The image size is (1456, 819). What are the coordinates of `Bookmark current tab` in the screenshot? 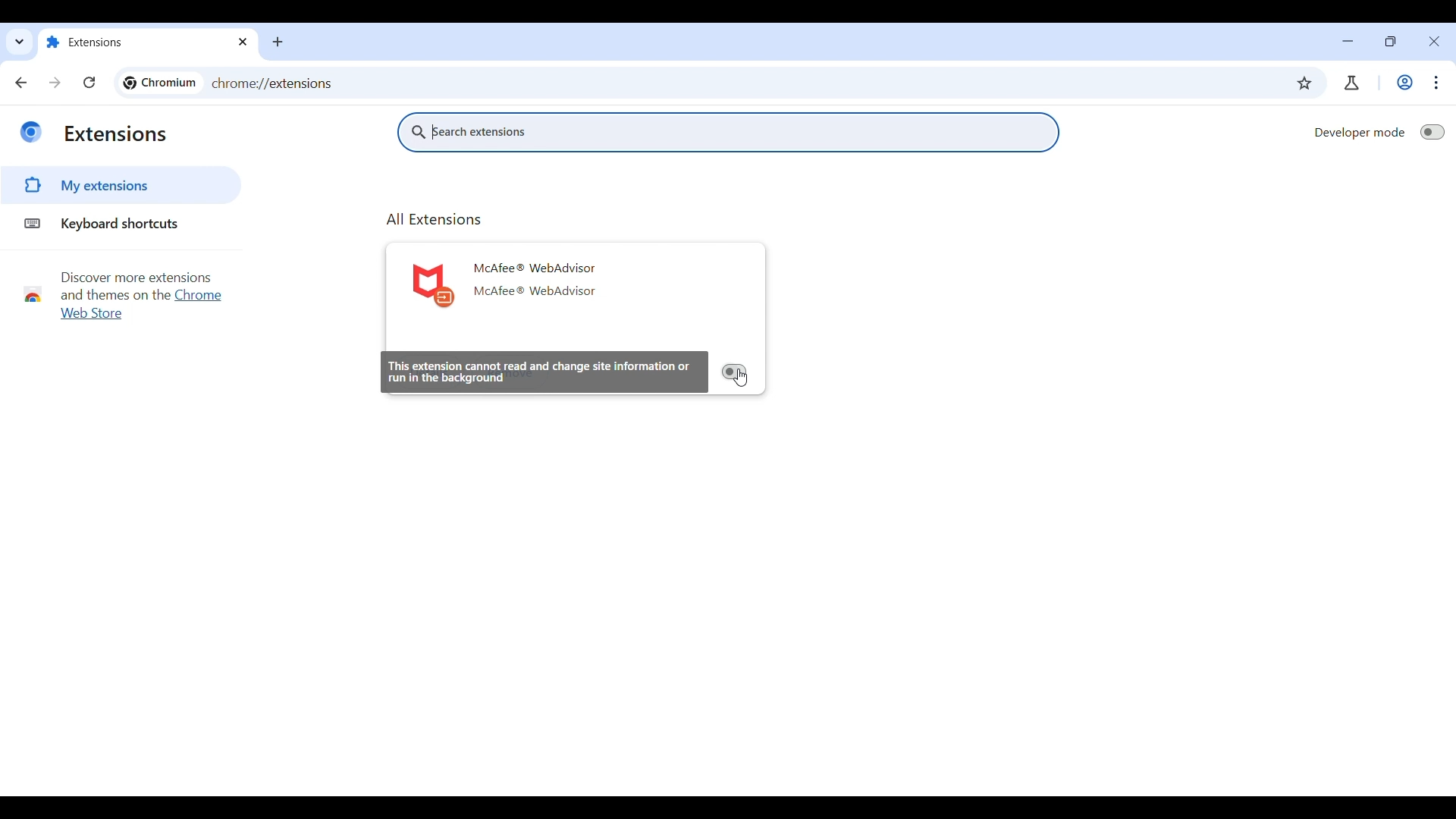 It's located at (1304, 83).